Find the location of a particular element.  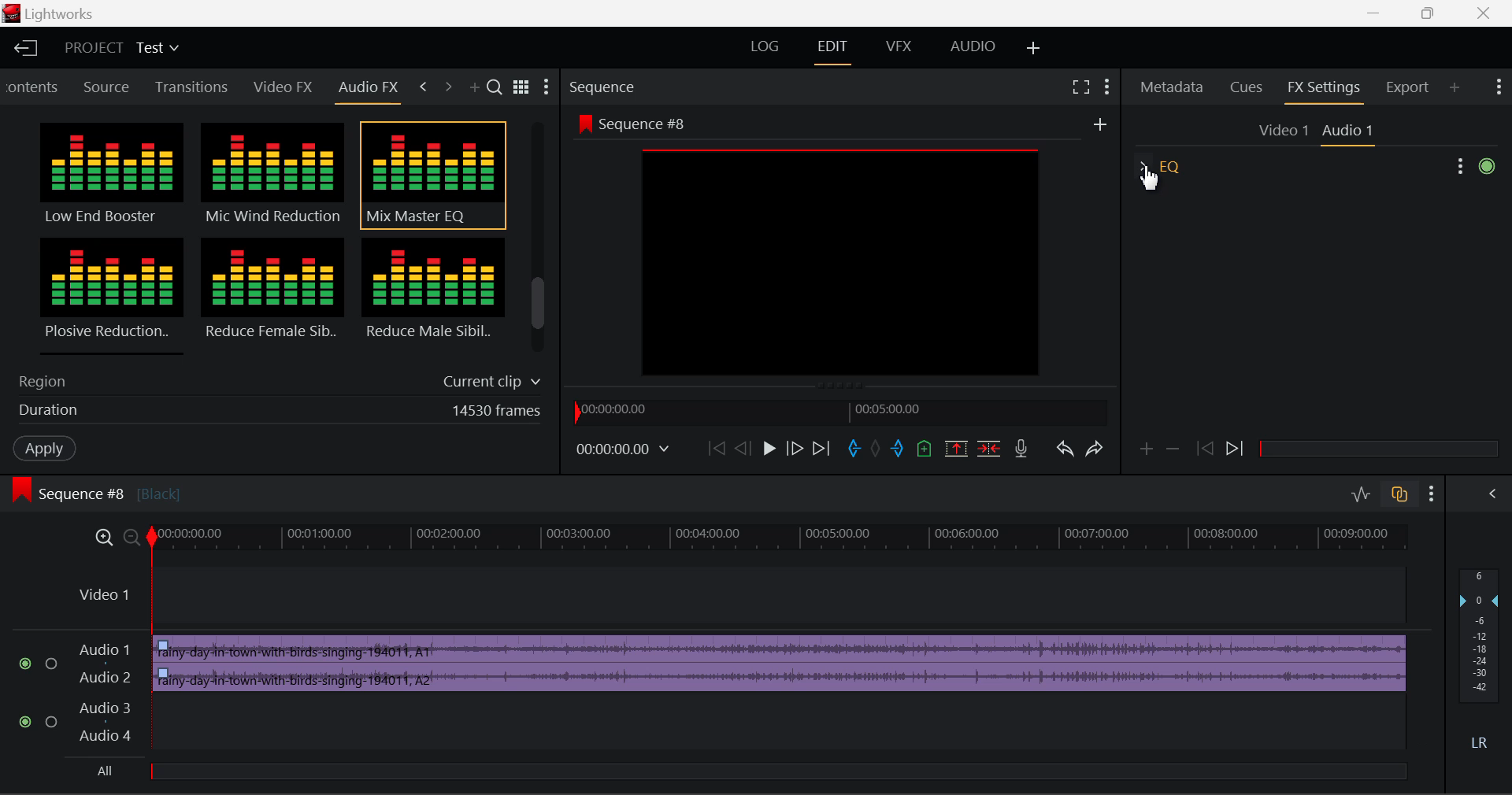

Cursor is located at coordinates (1148, 177).